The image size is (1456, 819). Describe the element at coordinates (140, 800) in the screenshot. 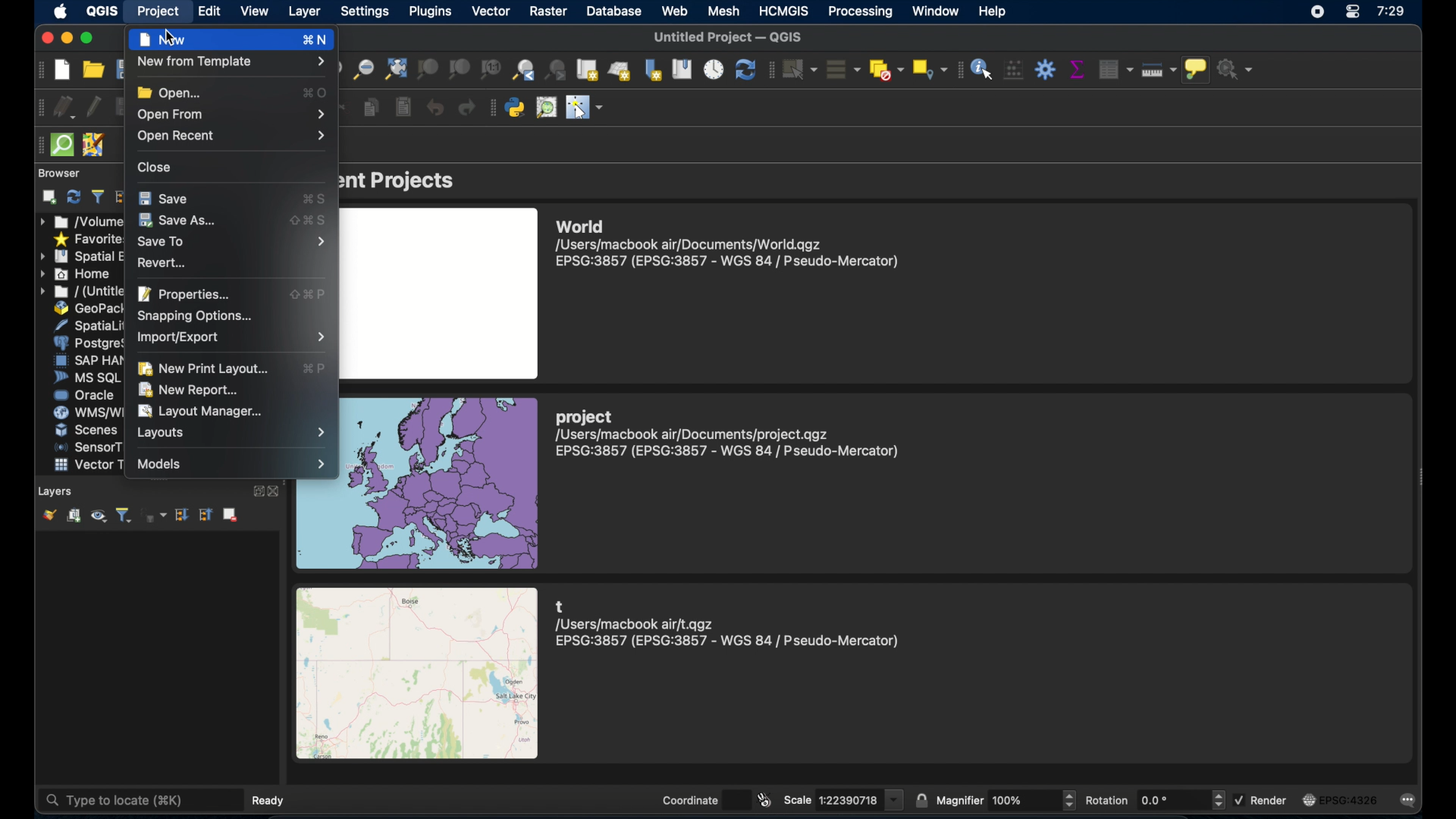

I see `type to locate` at that location.